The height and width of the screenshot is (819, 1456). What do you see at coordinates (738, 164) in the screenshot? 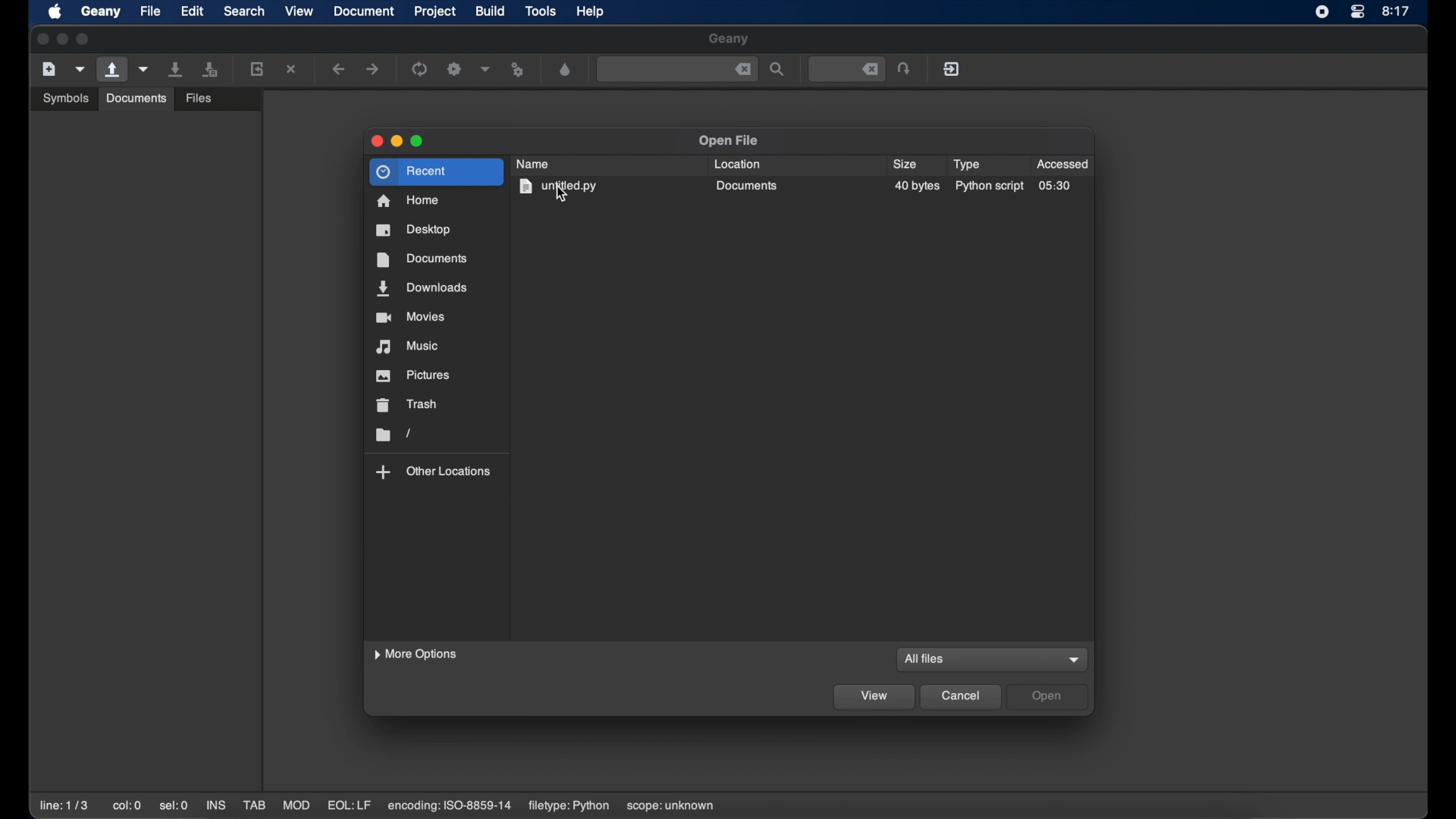
I see `location` at bounding box center [738, 164].